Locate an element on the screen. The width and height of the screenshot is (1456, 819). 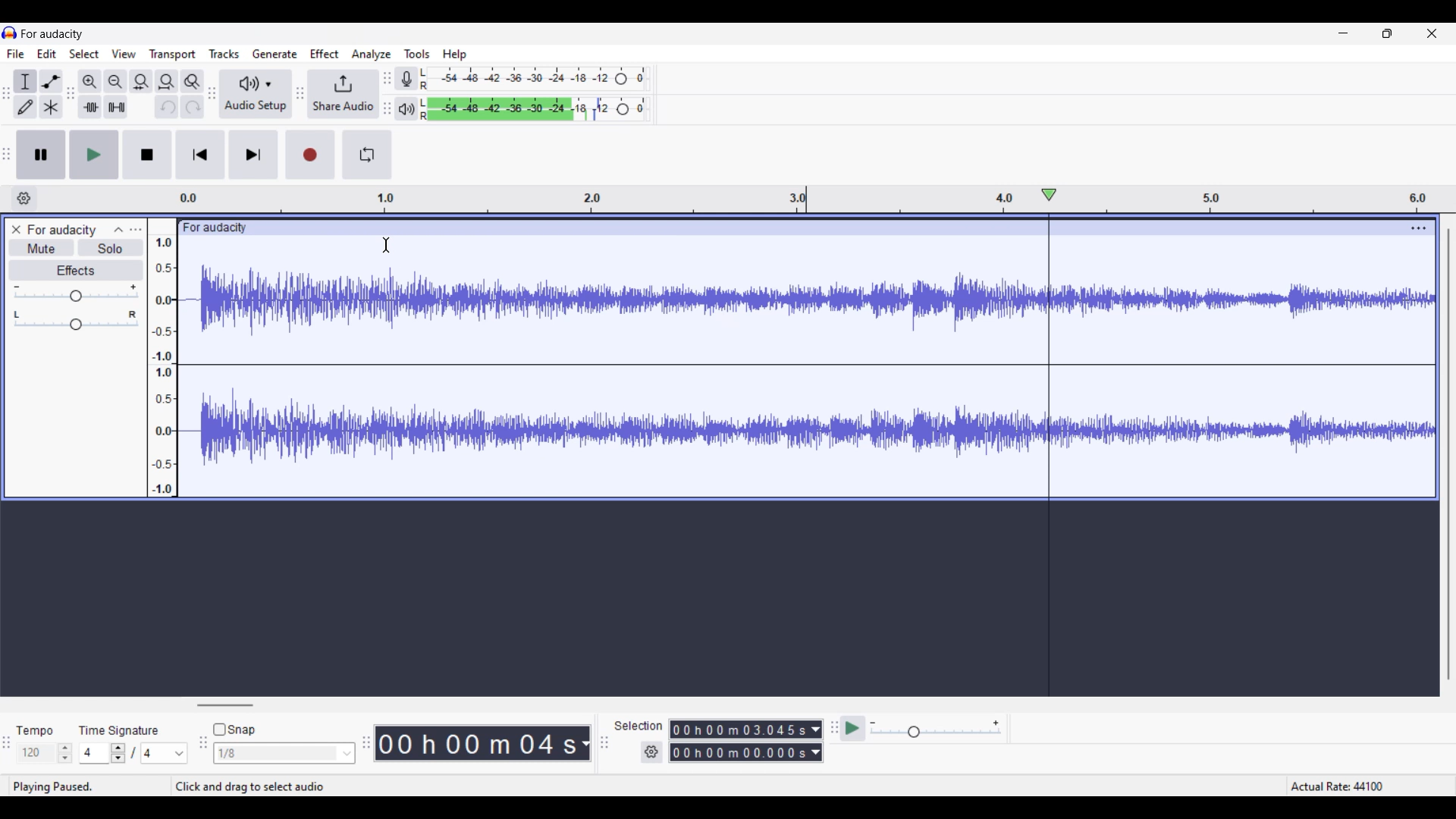
Play at speed once/Play at speed is located at coordinates (853, 729).